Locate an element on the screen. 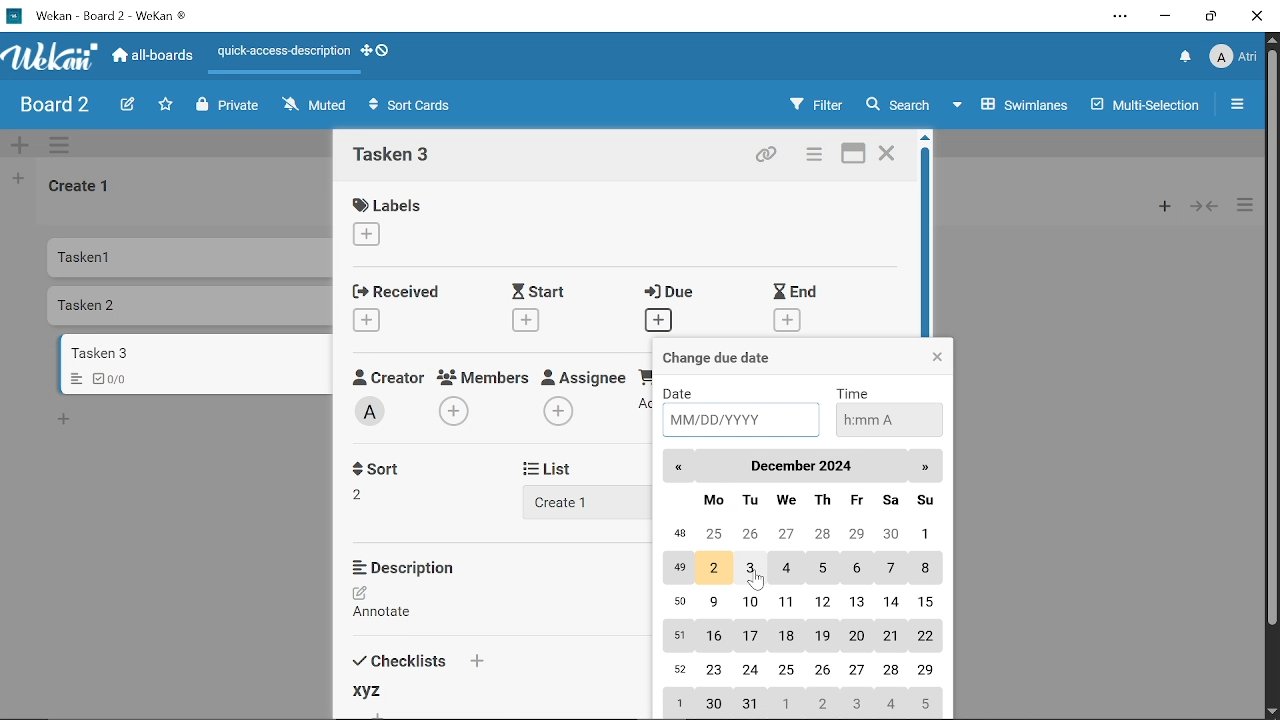  Add Date is located at coordinates (741, 420).